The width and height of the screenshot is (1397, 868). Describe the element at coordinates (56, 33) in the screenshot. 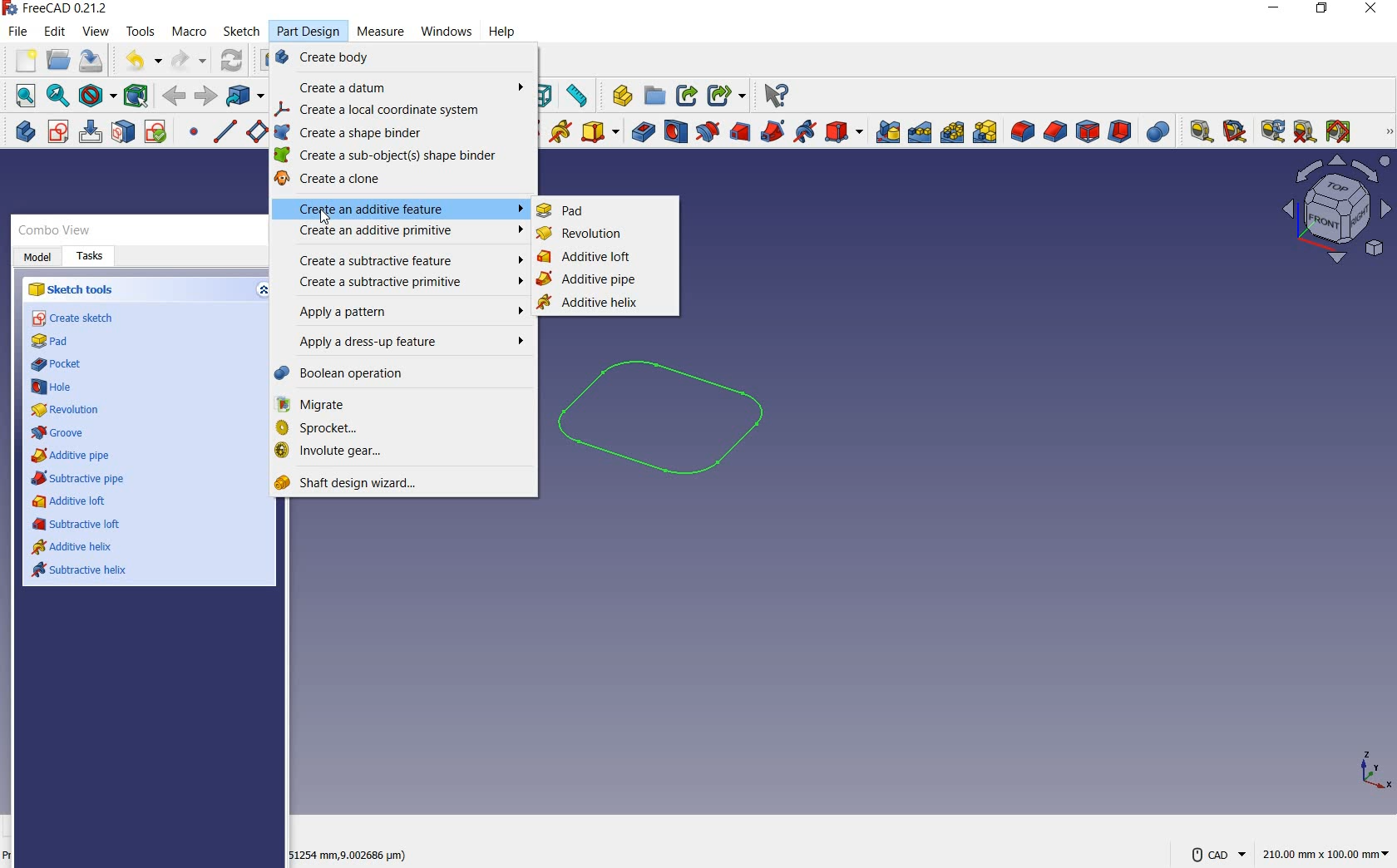

I see `edit` at that location.